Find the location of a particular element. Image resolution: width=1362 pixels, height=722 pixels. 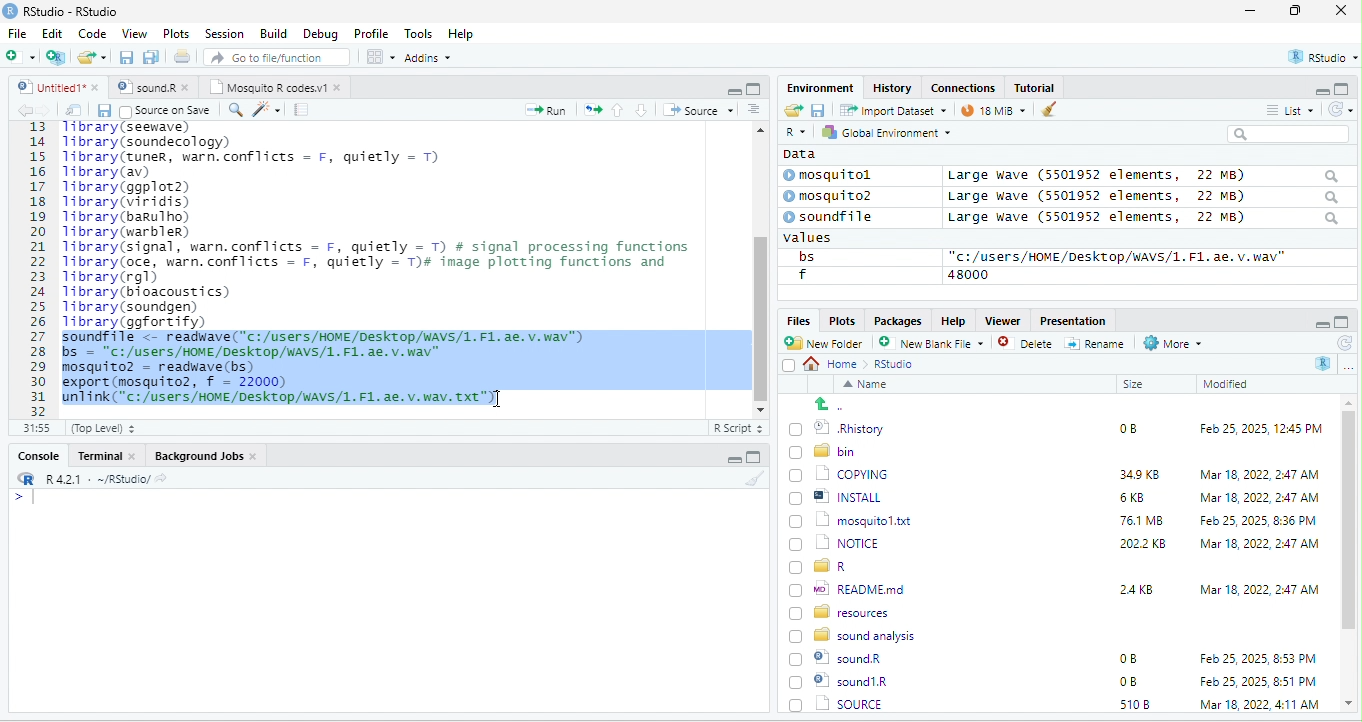

refresh is located at coordinates (1343, 343).